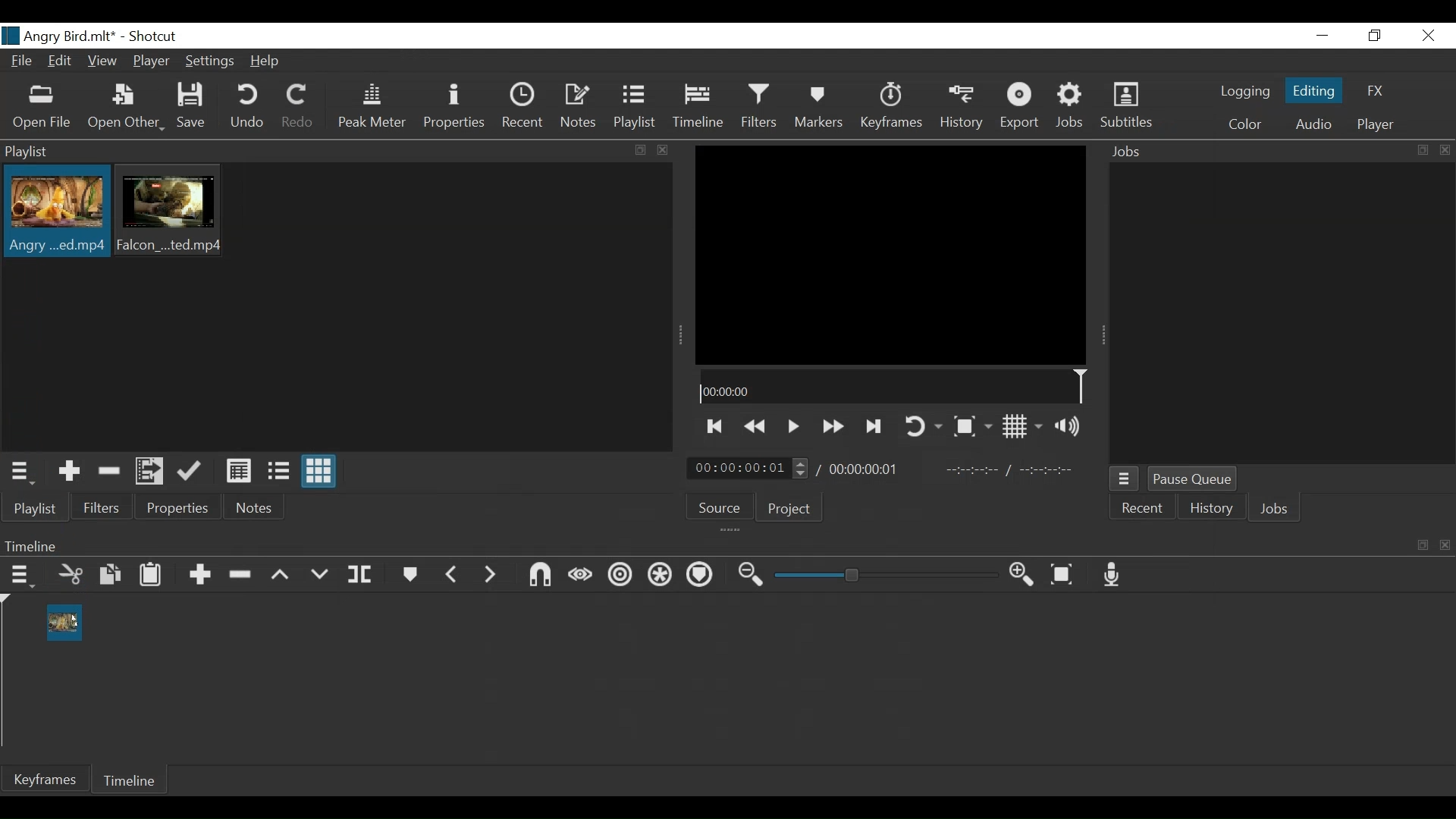  What do you see at coordinates (1245, 125) in the screenshot?
I see `Color` at bounding box center [1245, 125].